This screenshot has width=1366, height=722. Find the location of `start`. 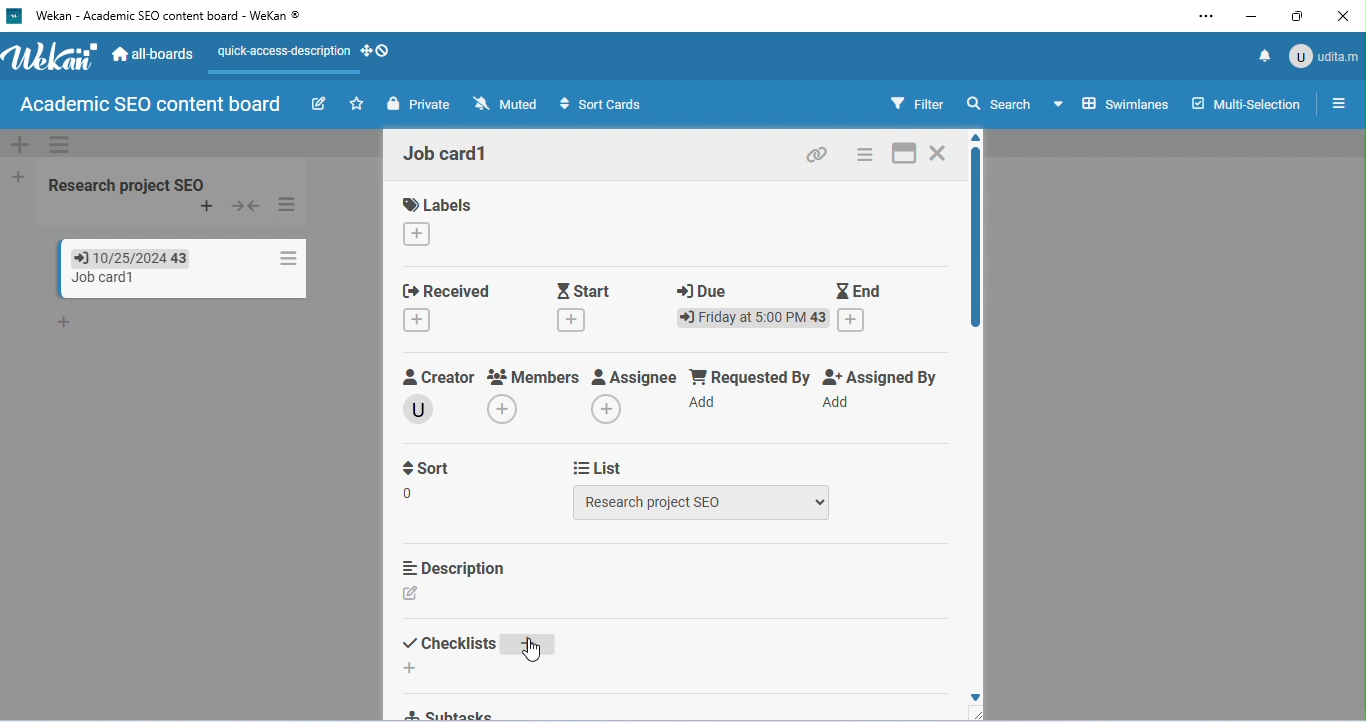

start is located at coordinates (587, 289).